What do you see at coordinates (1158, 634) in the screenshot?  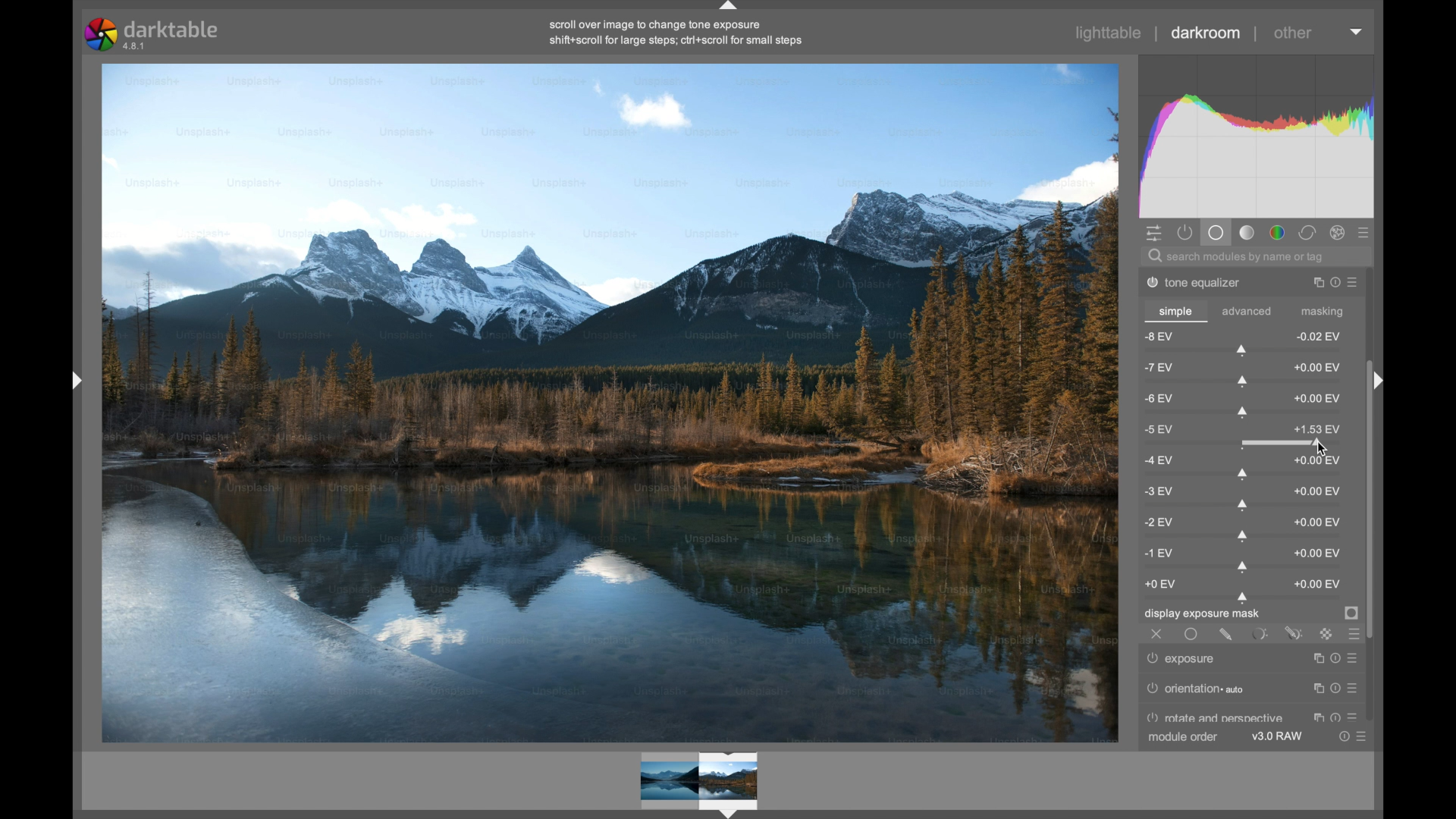 I see `off` at bounding box center [1158, 634].